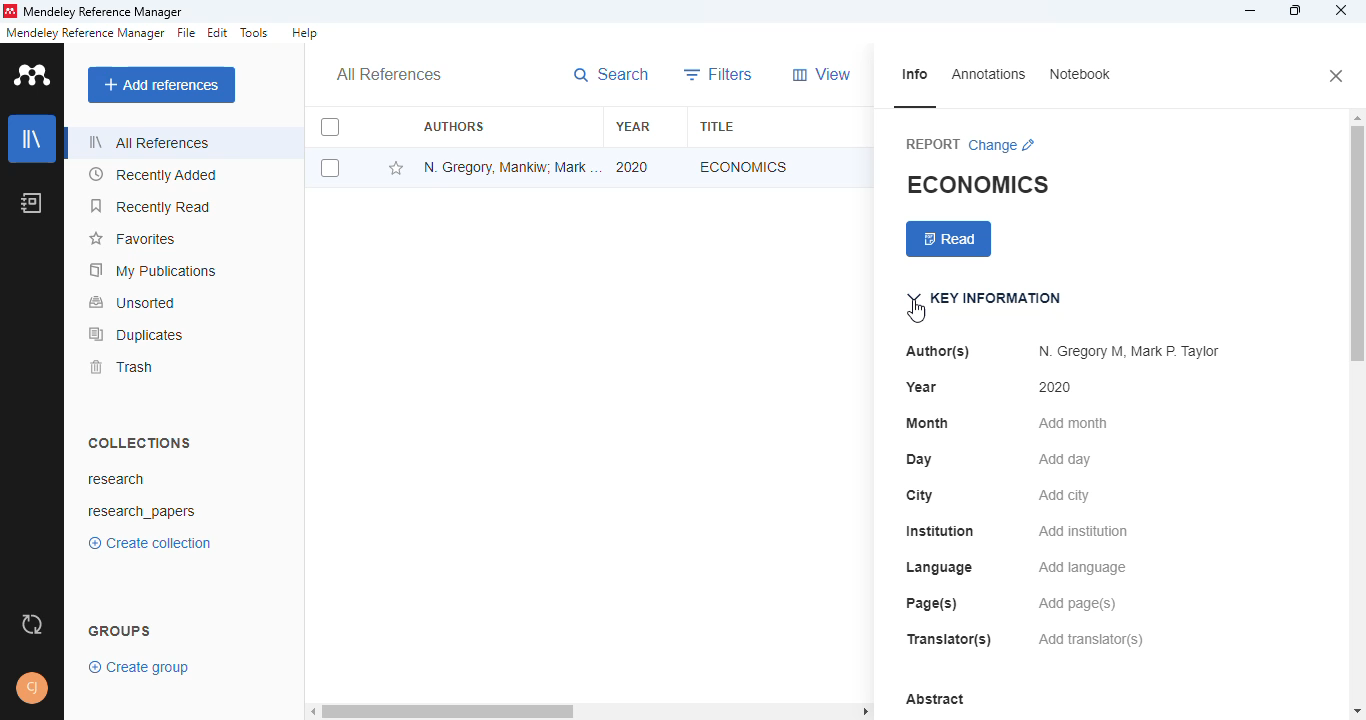 This screenshot has width=1366, height=720. Describe the element at coordinates (85, 32) in the screenshot. I see `mendeley reference manager` at that location.